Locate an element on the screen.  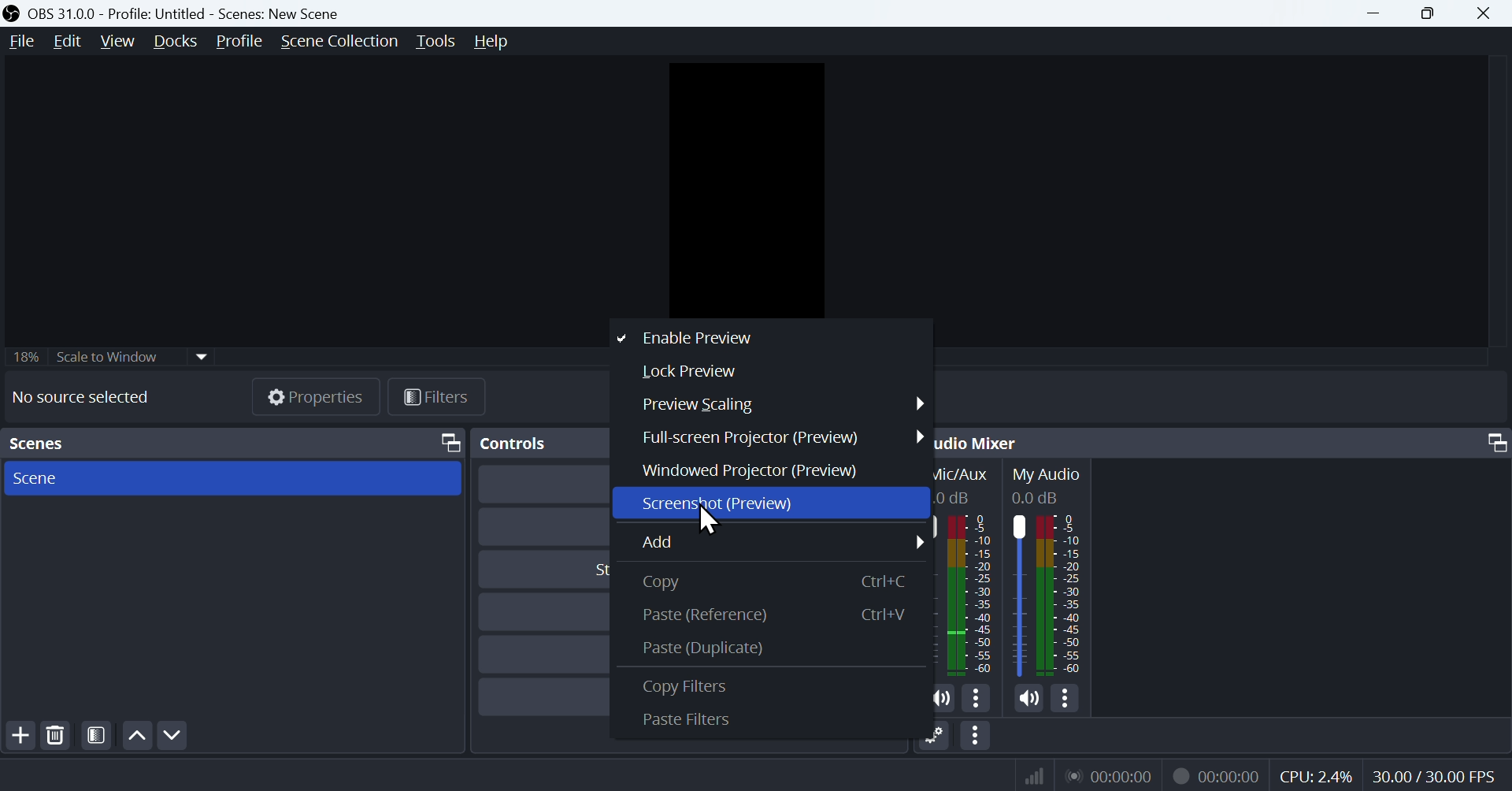
More option is located at coordinates (977, 738).